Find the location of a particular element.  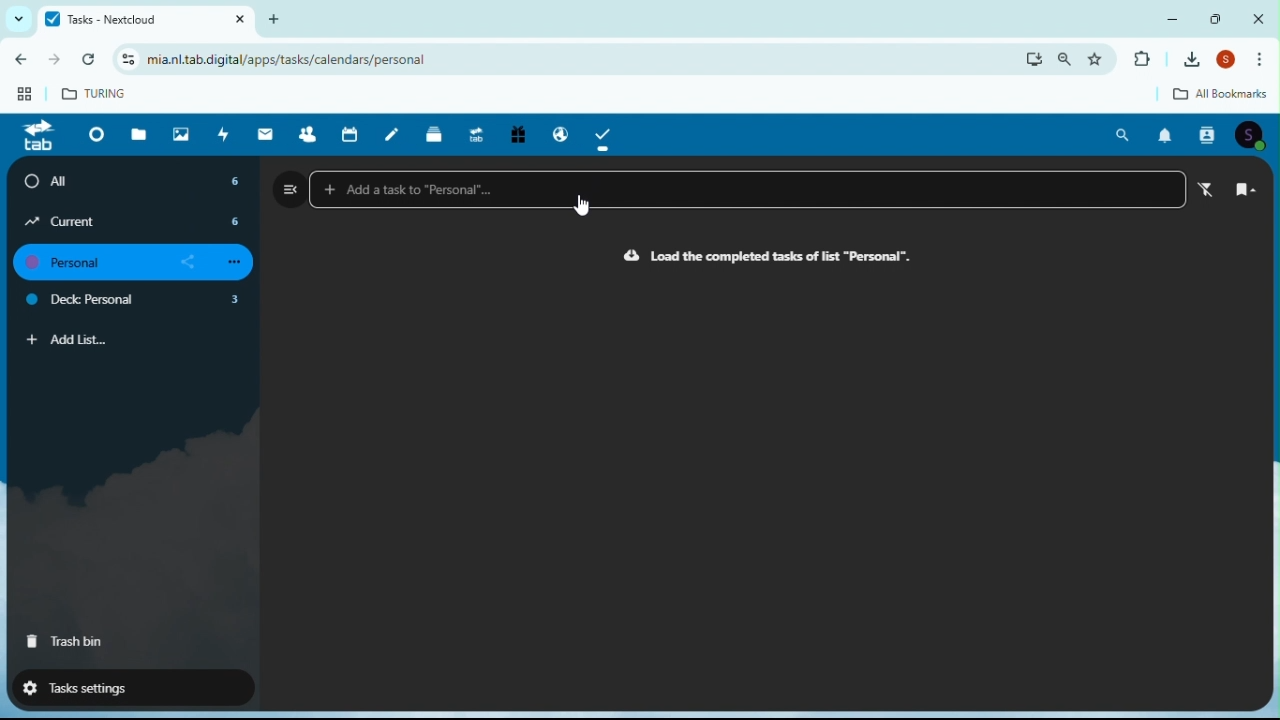

Email hosting is located at coordinates (556, 131).